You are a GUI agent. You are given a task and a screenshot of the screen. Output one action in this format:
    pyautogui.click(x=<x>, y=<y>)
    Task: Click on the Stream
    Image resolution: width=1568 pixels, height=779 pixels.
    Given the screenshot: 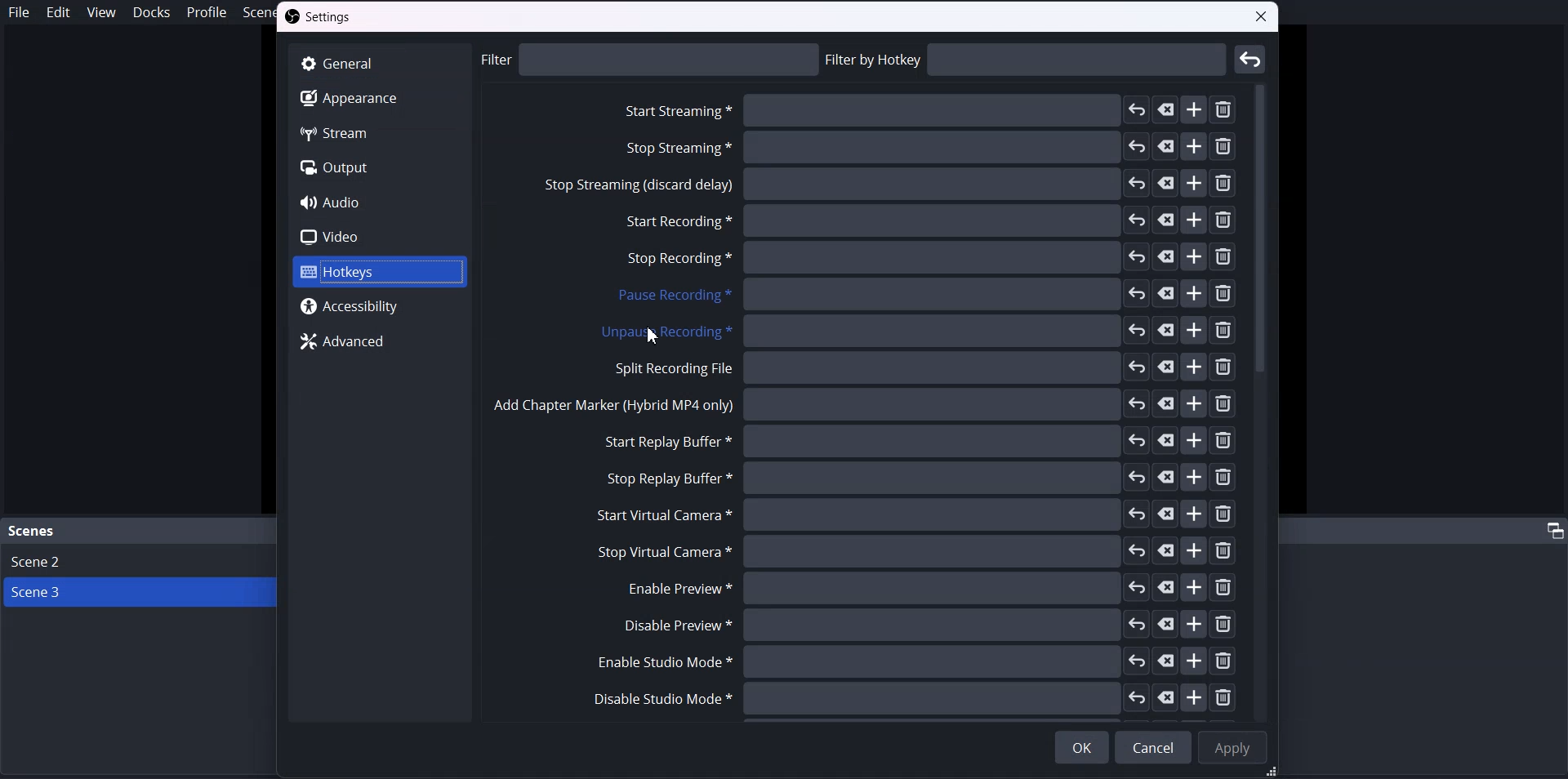 What is the action you would take?
    pyautogui.click(x=378, y=132)
    